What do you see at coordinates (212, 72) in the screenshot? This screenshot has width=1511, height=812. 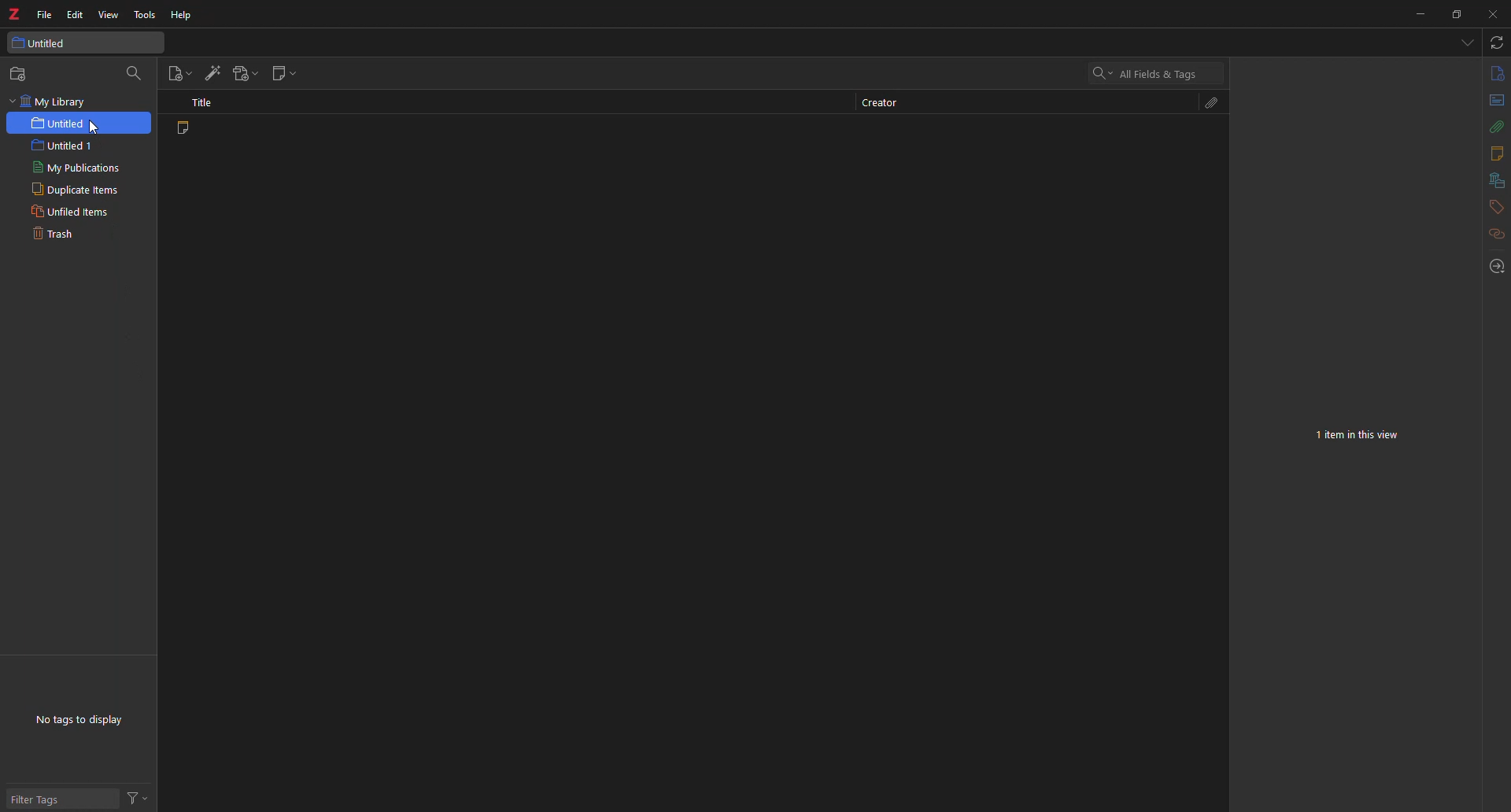 I see `add item` at bounding box center [212, 72].